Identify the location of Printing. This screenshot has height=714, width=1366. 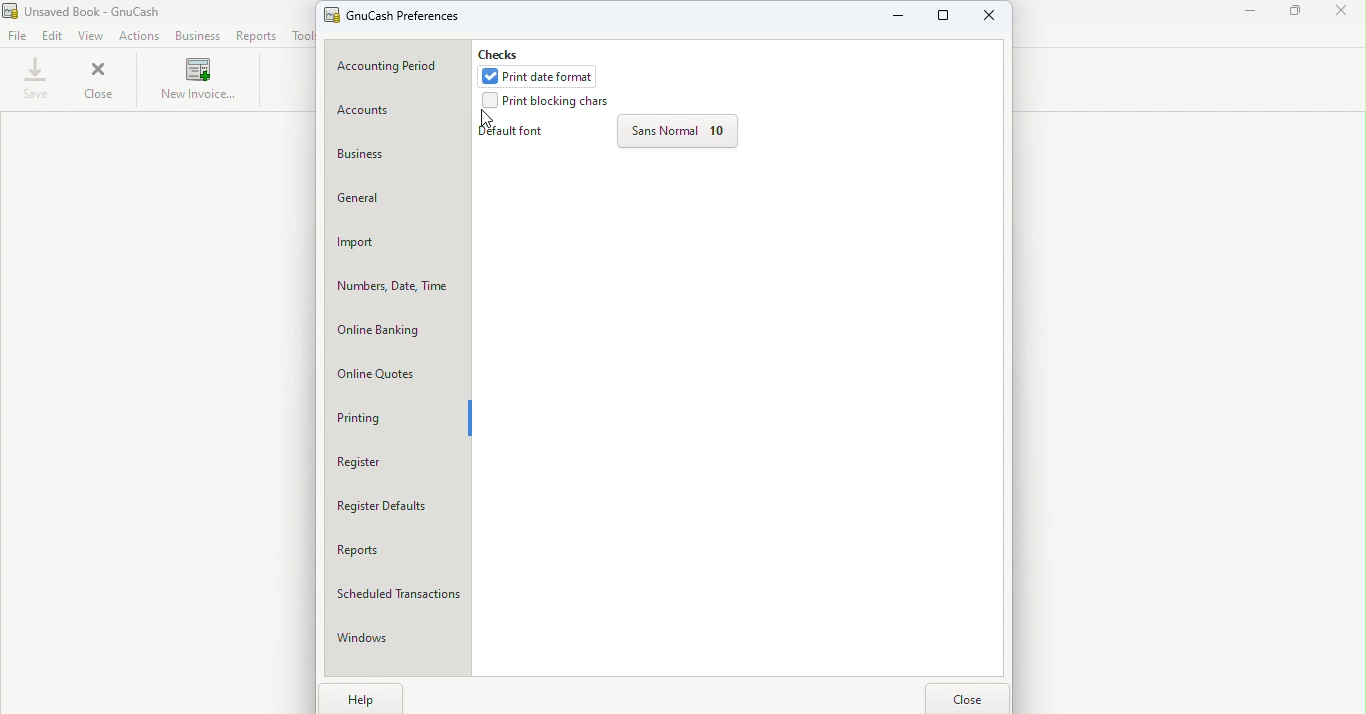
(395, 418).